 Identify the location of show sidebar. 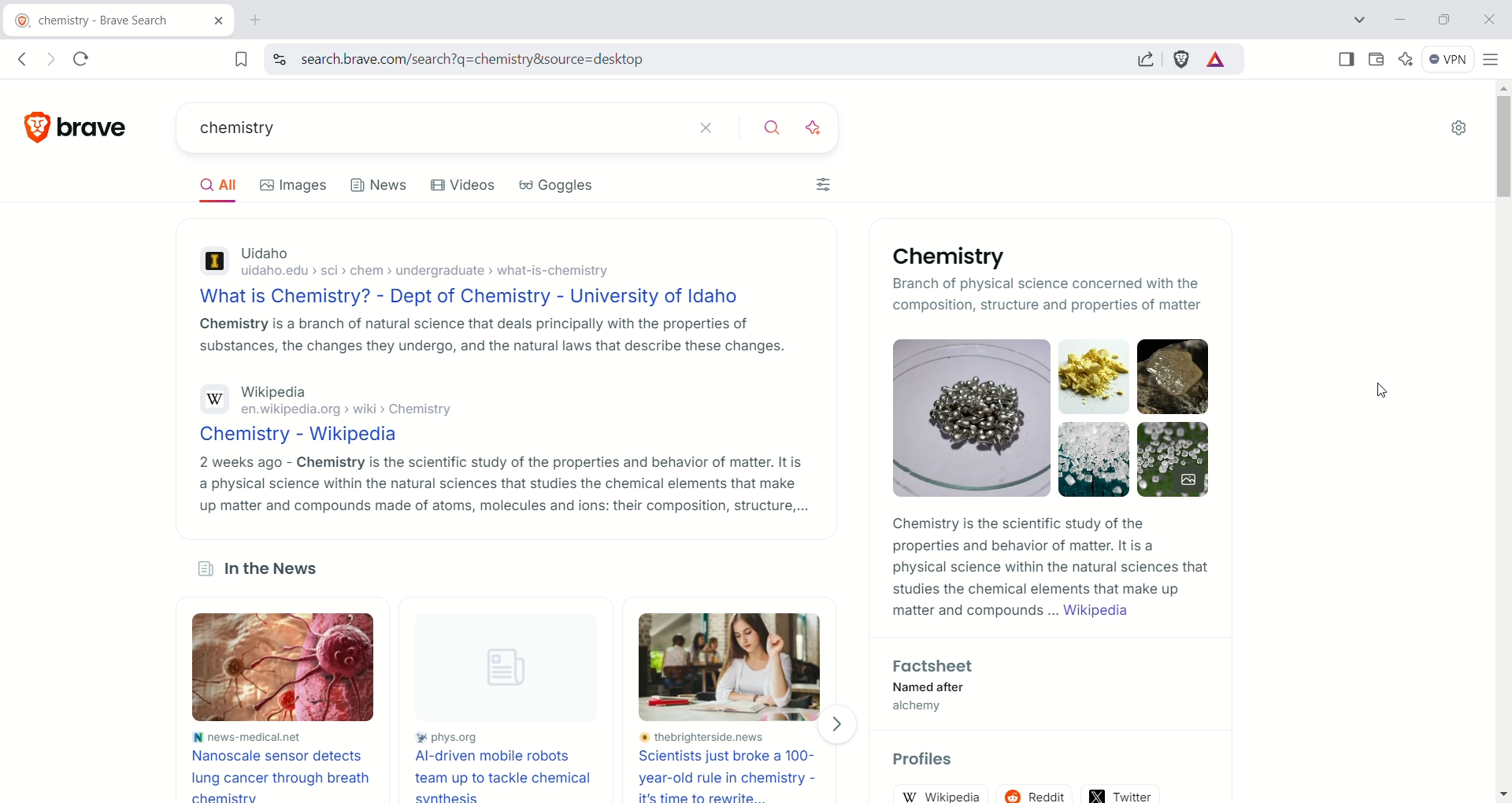
(1347, 58).